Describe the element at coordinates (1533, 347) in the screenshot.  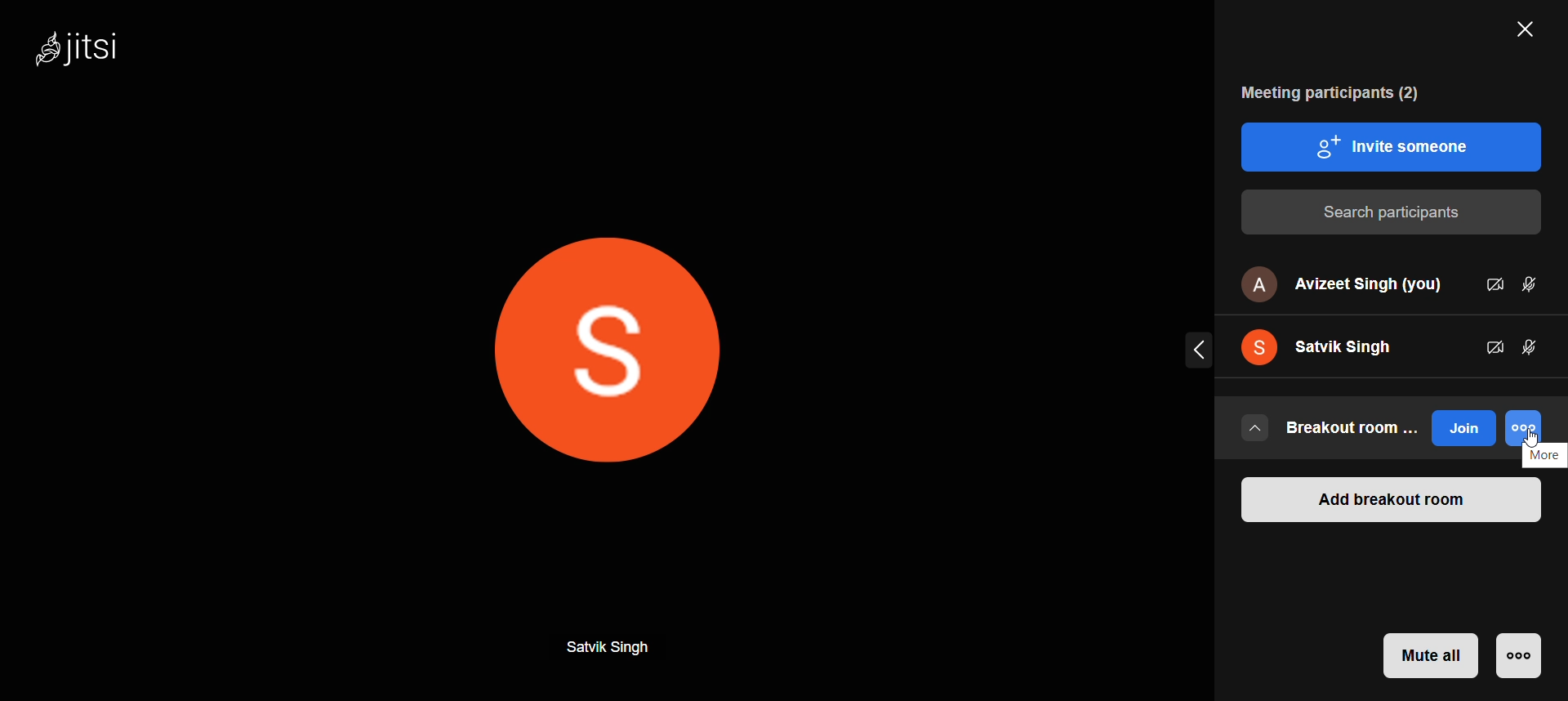
I see `mic status` at that location.